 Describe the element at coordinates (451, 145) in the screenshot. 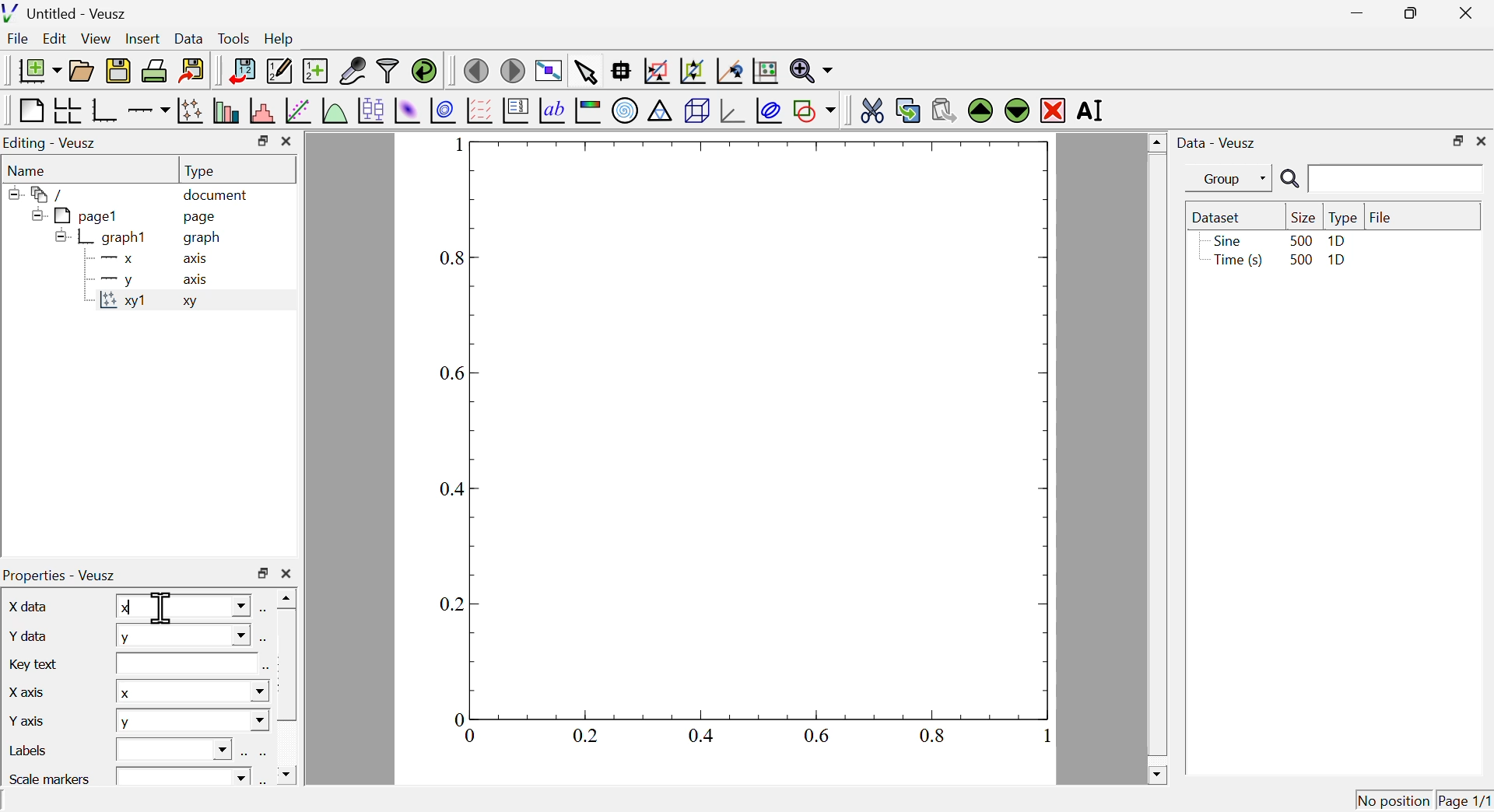

I see `1` at that location.